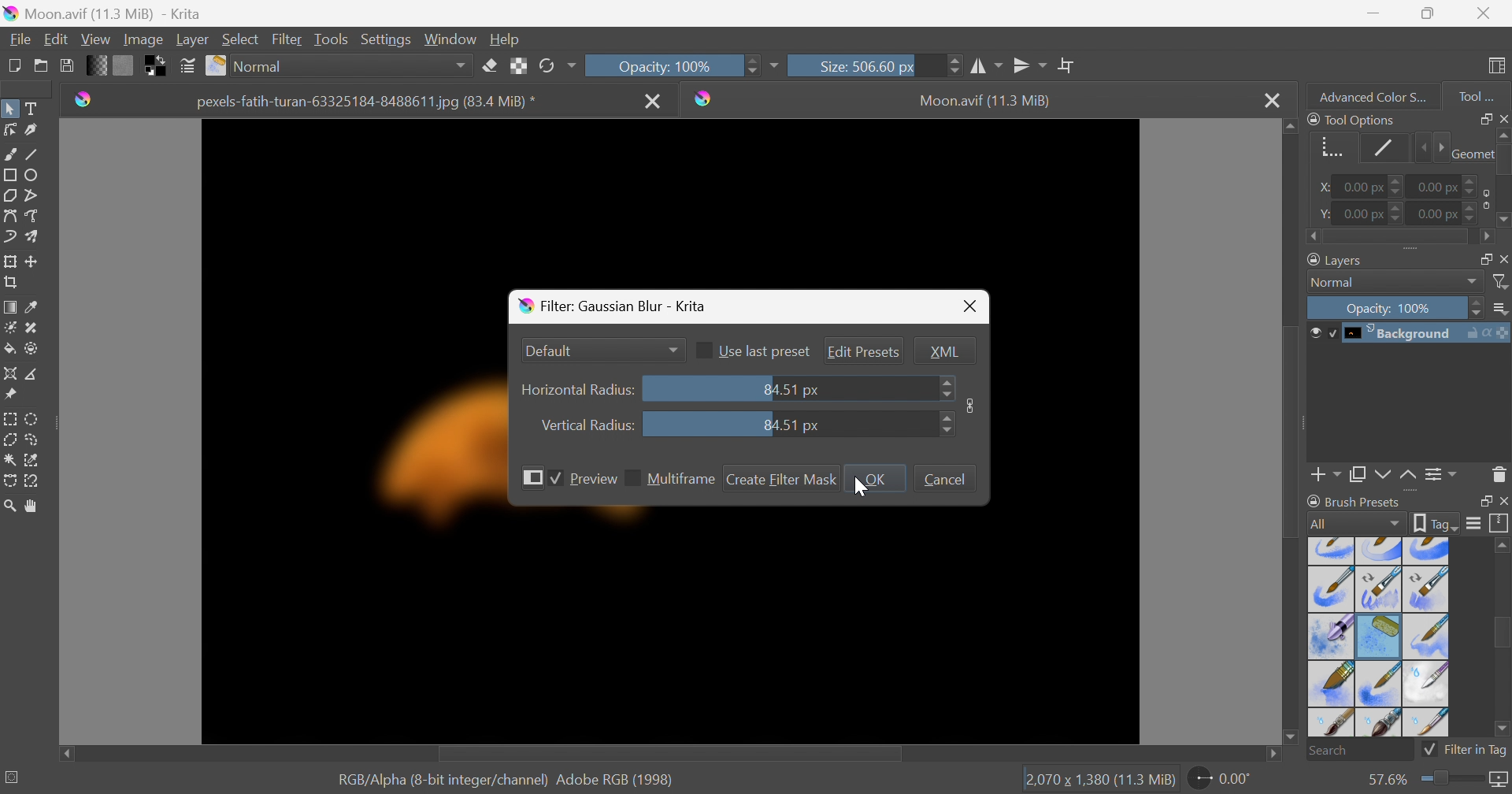  I want to click on Draw a gradient, so click(9, 305).